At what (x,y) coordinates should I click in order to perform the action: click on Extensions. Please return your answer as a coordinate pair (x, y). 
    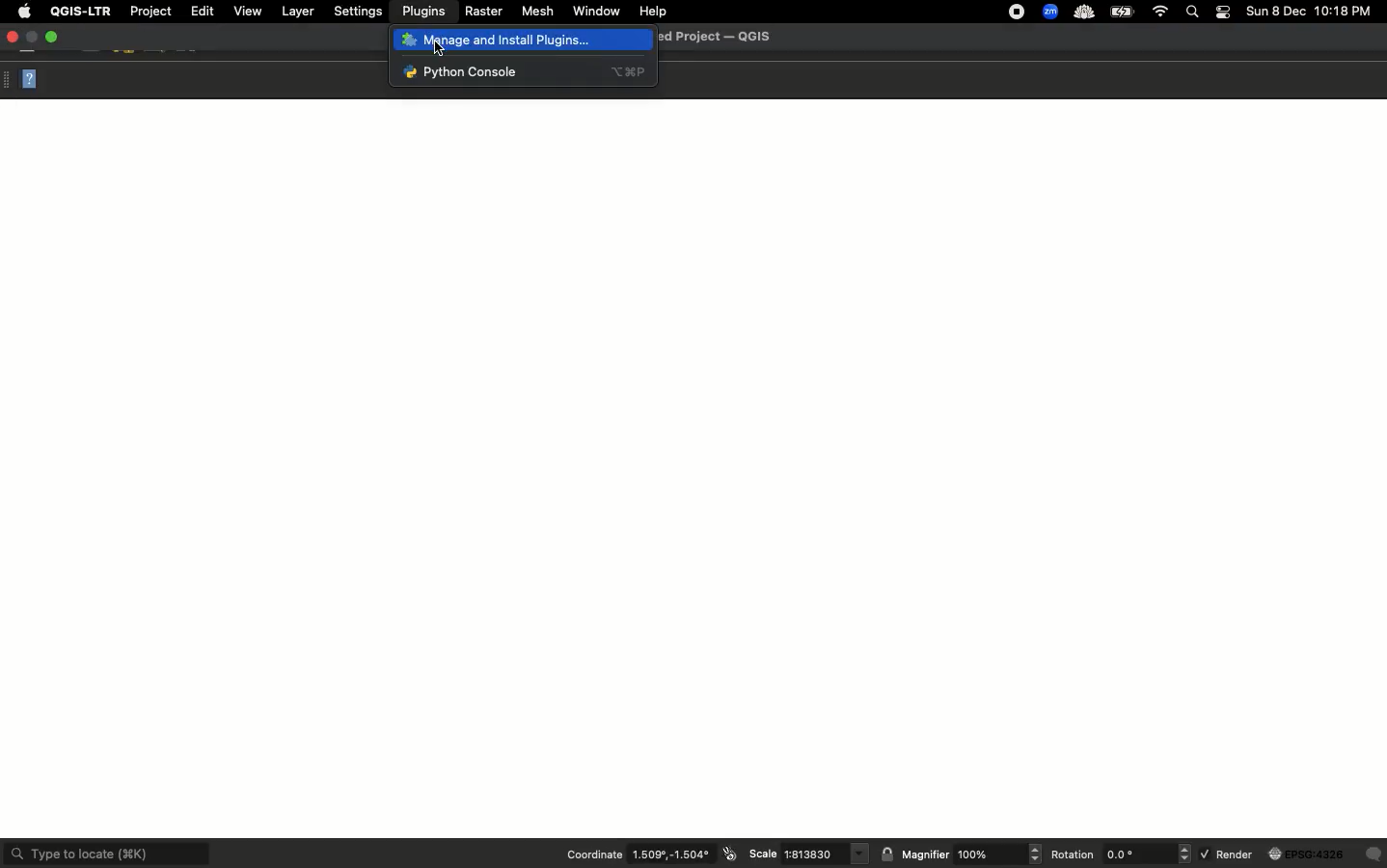
    Looking at the image, I should click on (1069, 12).